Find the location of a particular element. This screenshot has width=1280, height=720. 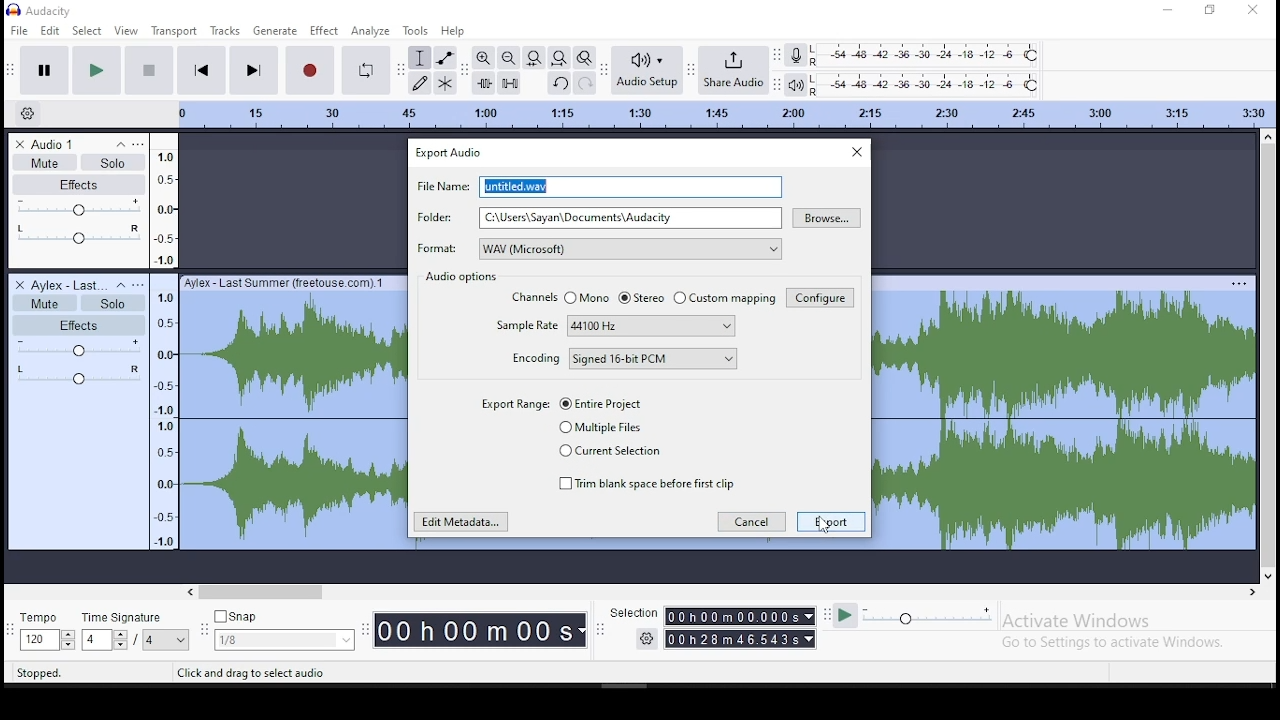

zoom out is located at coordinates (508, 58).